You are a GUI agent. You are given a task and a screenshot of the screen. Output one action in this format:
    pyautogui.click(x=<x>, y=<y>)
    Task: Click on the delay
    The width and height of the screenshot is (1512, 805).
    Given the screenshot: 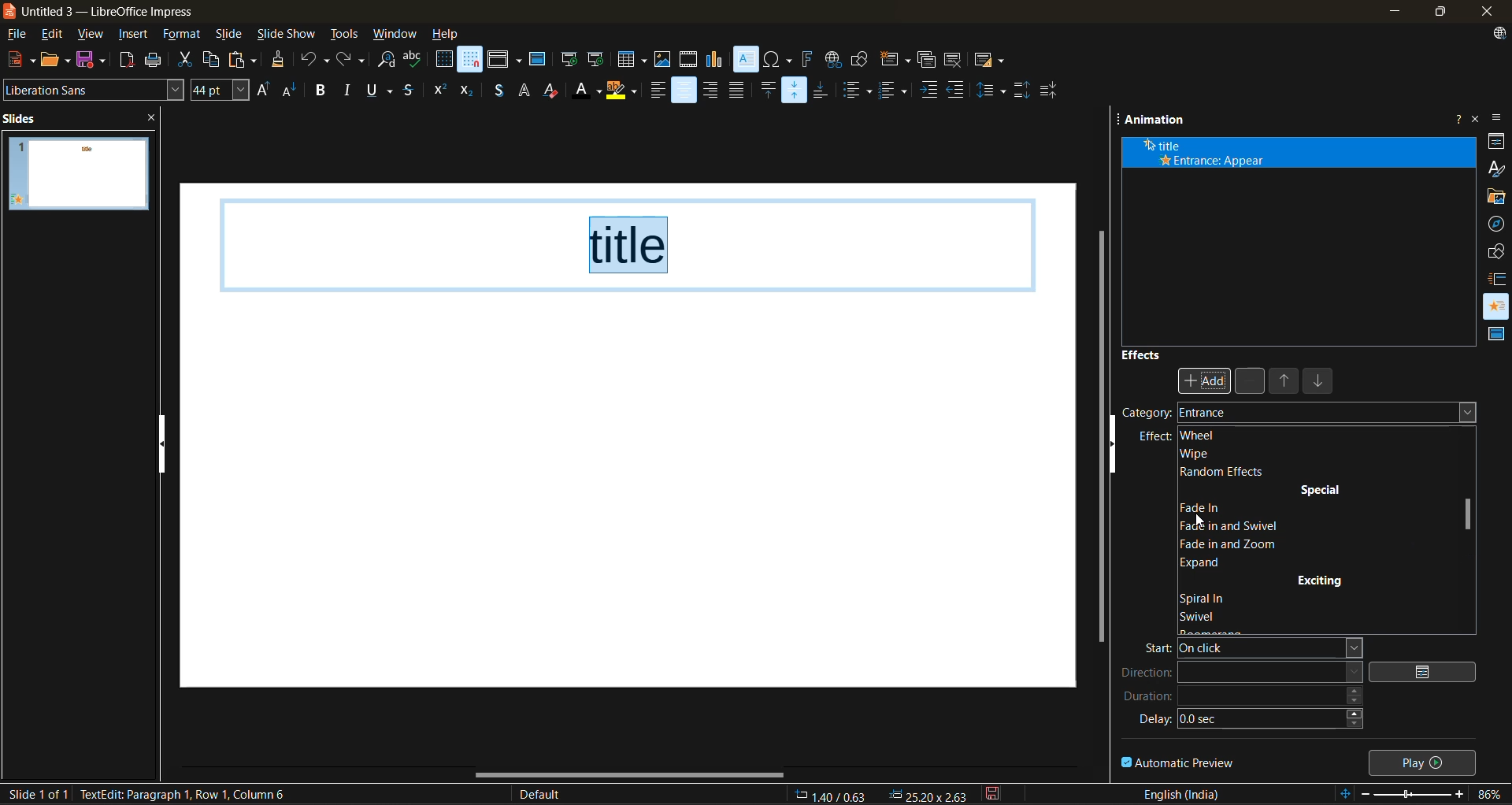 What is the action you would take?
    pyautogui.click(x=1253, y=723)
    